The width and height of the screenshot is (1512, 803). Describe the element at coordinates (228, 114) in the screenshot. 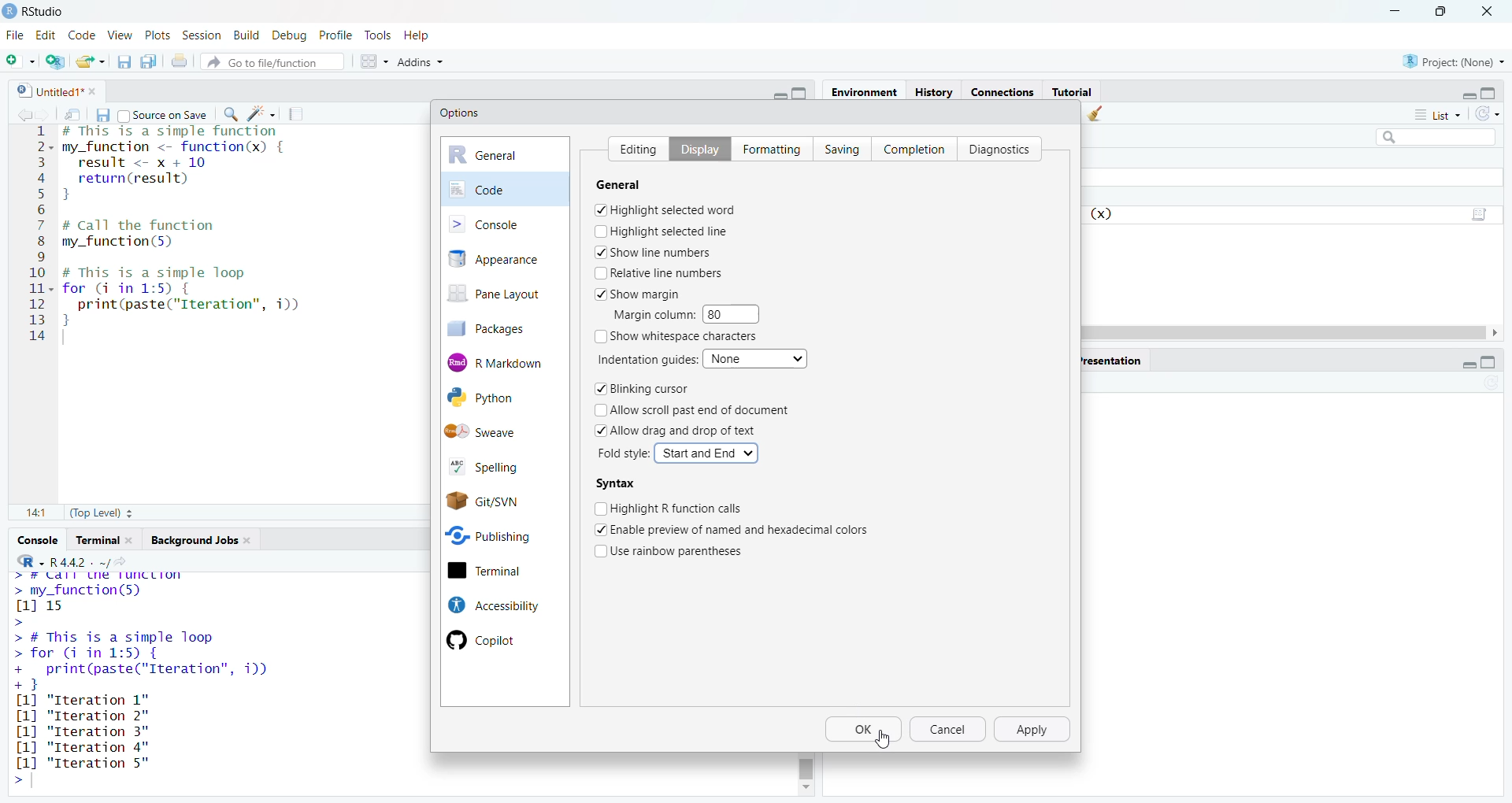

I see `find/replace` at that location.